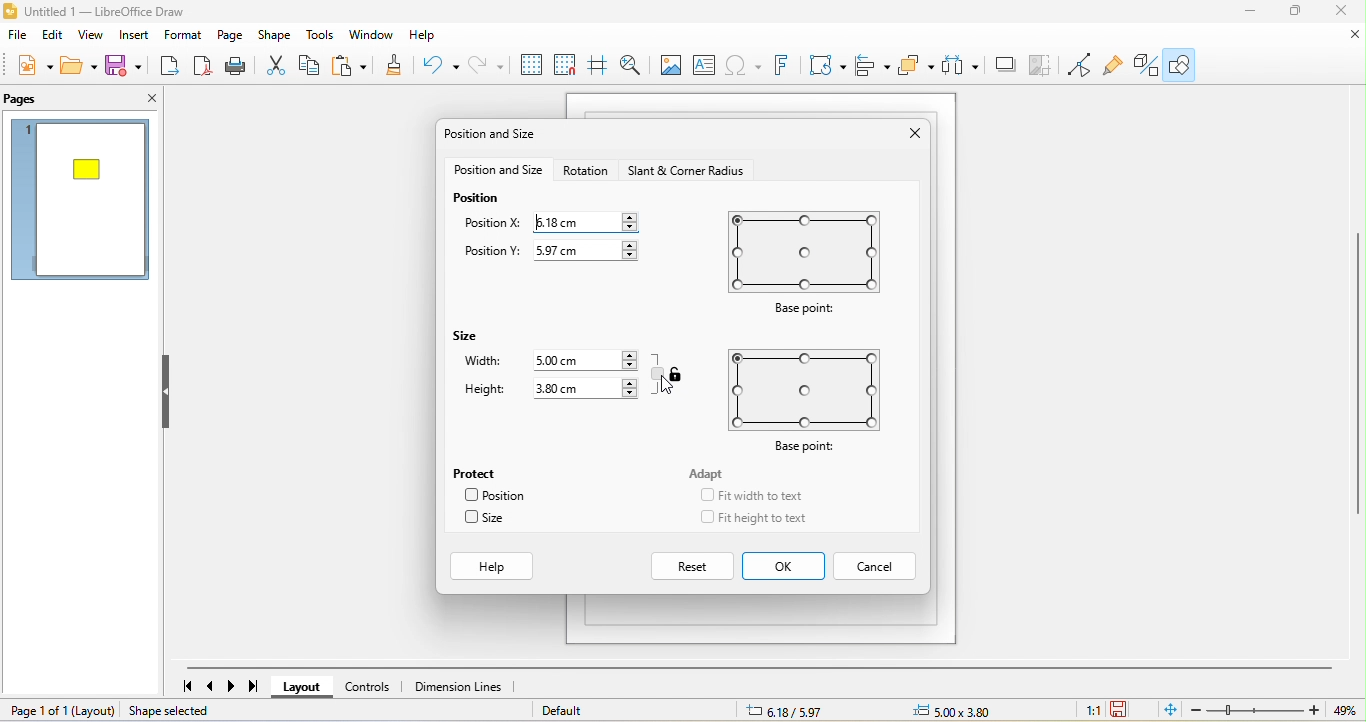  I want to click on zoom, so click(1278, 710).